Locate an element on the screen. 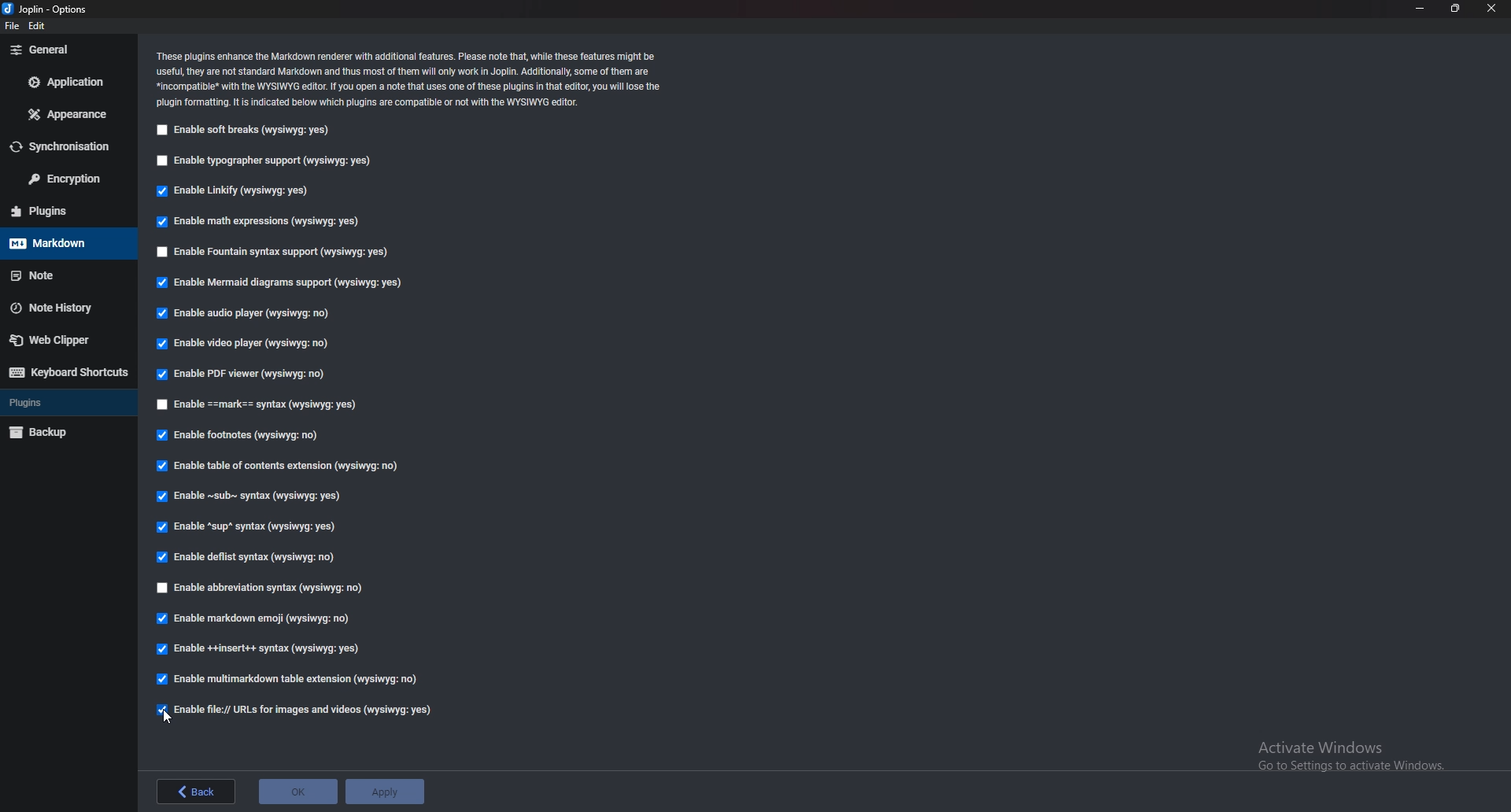 The height and width of the screenshot is (812, 1511). Enable audio player is located at coordinates (246, 315).